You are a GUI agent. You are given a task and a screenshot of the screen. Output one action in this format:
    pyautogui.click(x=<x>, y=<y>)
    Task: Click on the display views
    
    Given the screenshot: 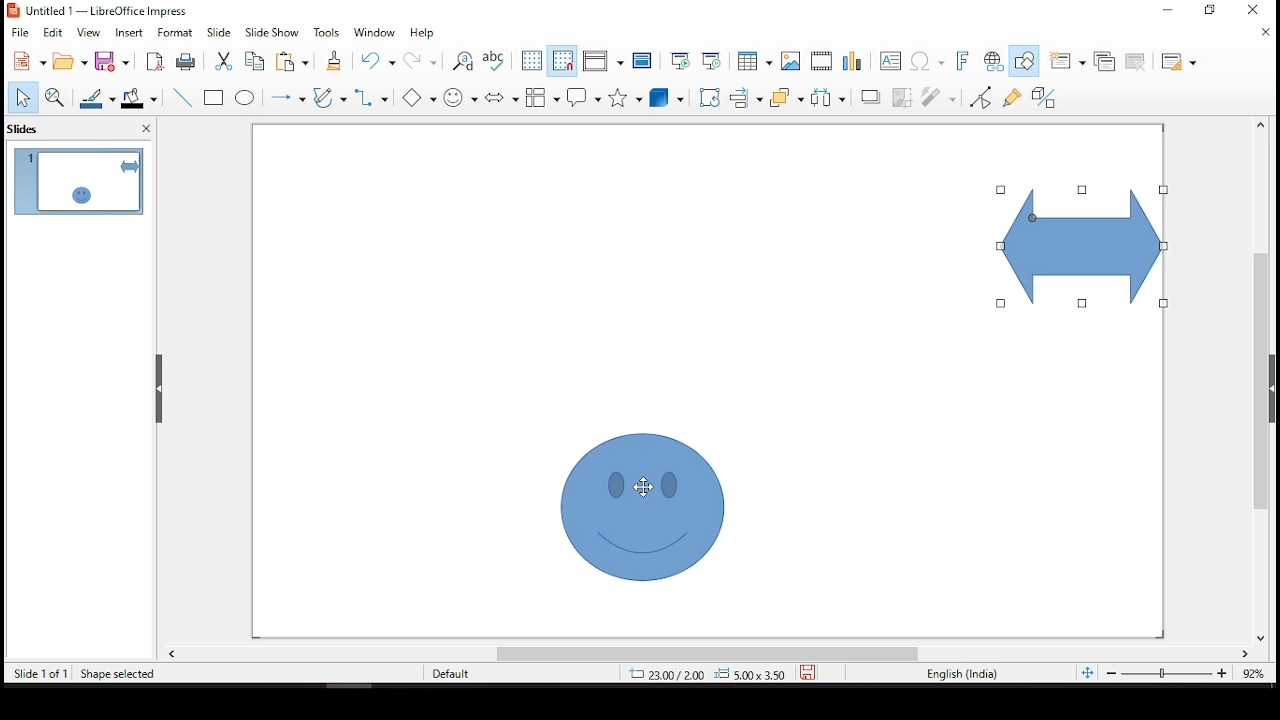 What is the action you would take?
    pyautogui.click(x=603, y=61)
    